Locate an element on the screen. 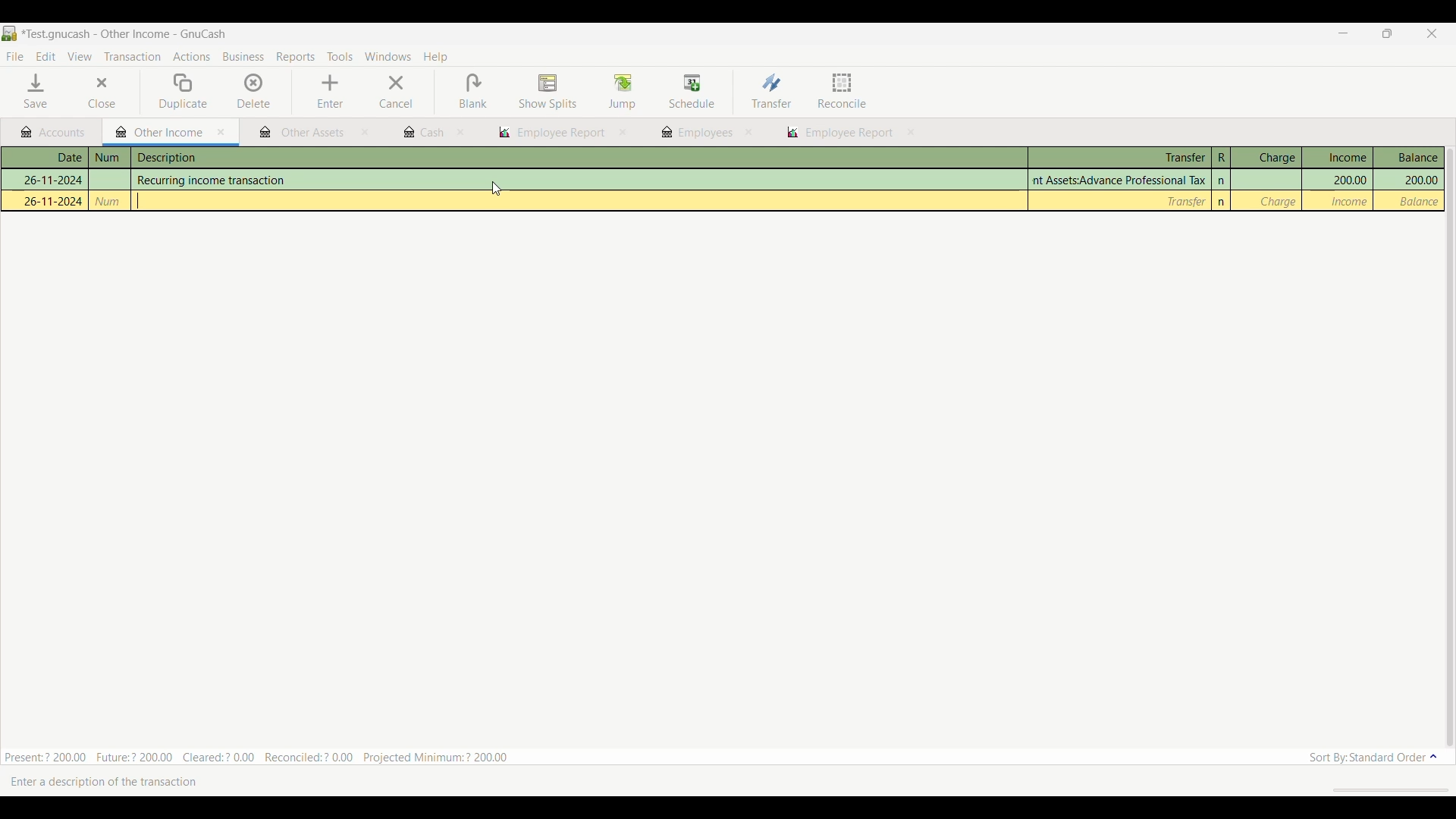 Image resolution: width=1456 pixels, height=819 pixels. Reconcile is located at coordinates (843, 90).